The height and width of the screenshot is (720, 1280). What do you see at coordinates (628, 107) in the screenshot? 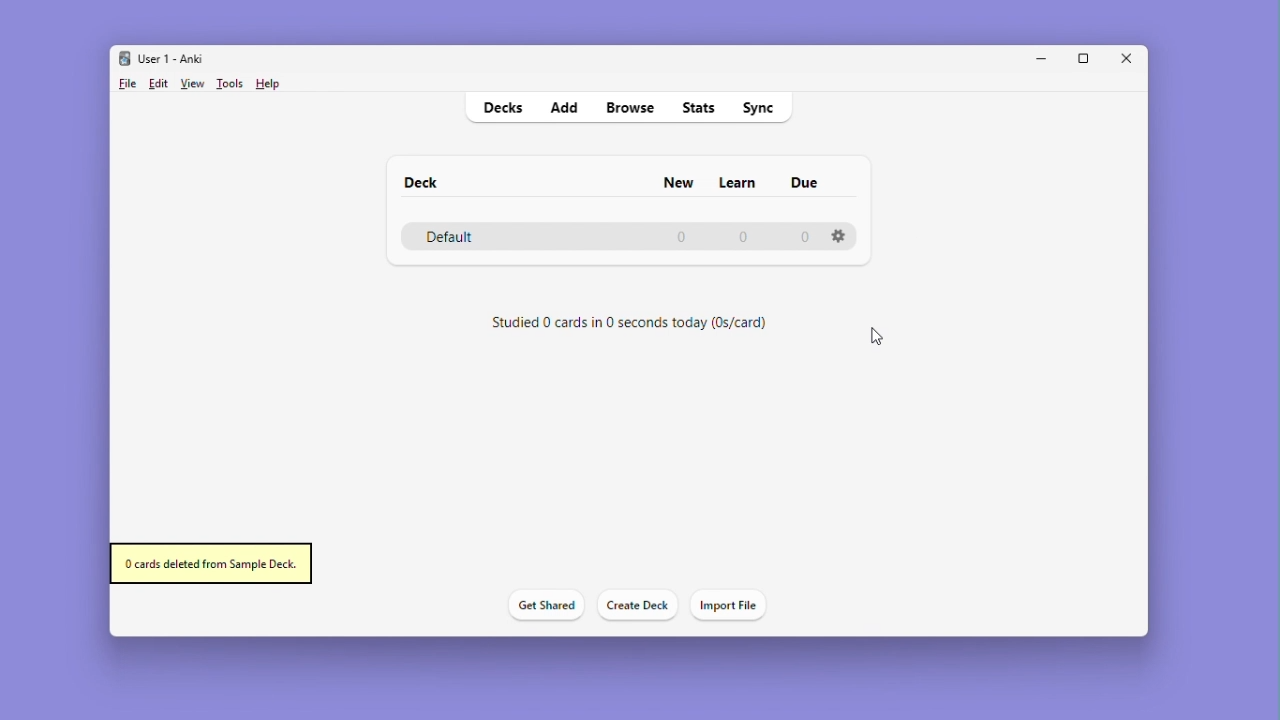
I see `Browse` at bounding box center [628, 107].